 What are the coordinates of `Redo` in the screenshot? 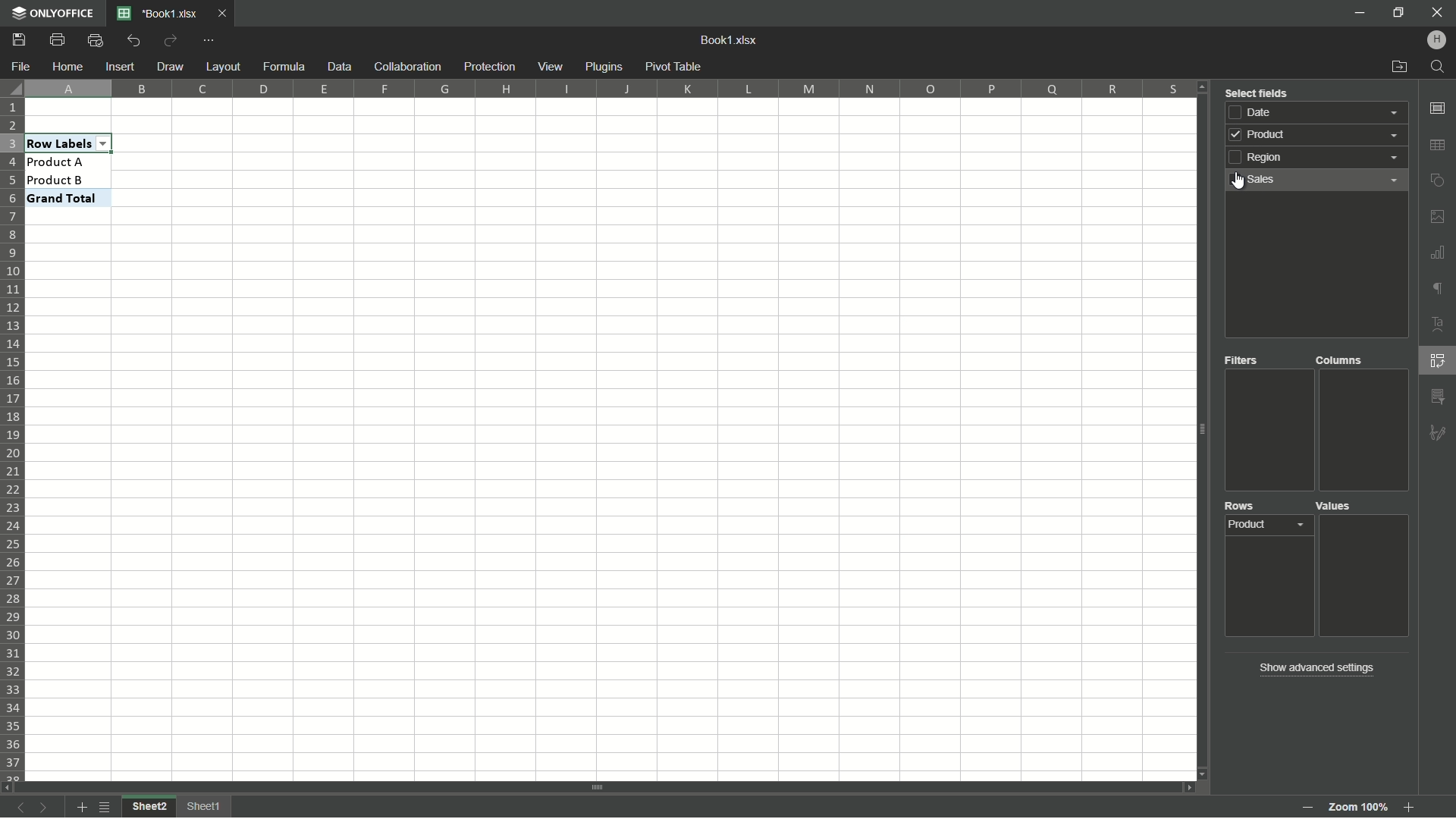 It's located at (171, 39).